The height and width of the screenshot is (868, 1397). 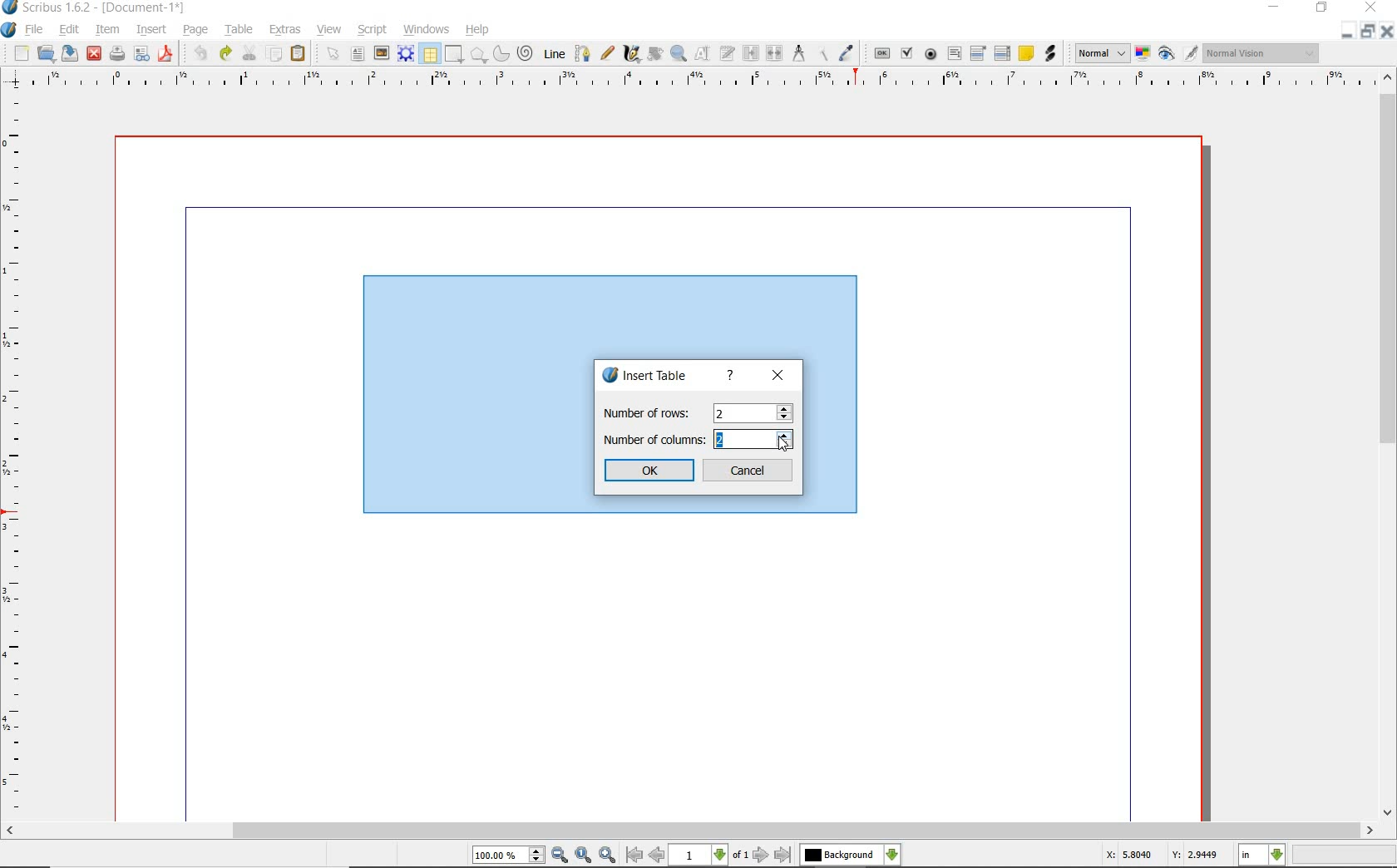 I want to click on select current zoom level, so click(x=508, y=856).